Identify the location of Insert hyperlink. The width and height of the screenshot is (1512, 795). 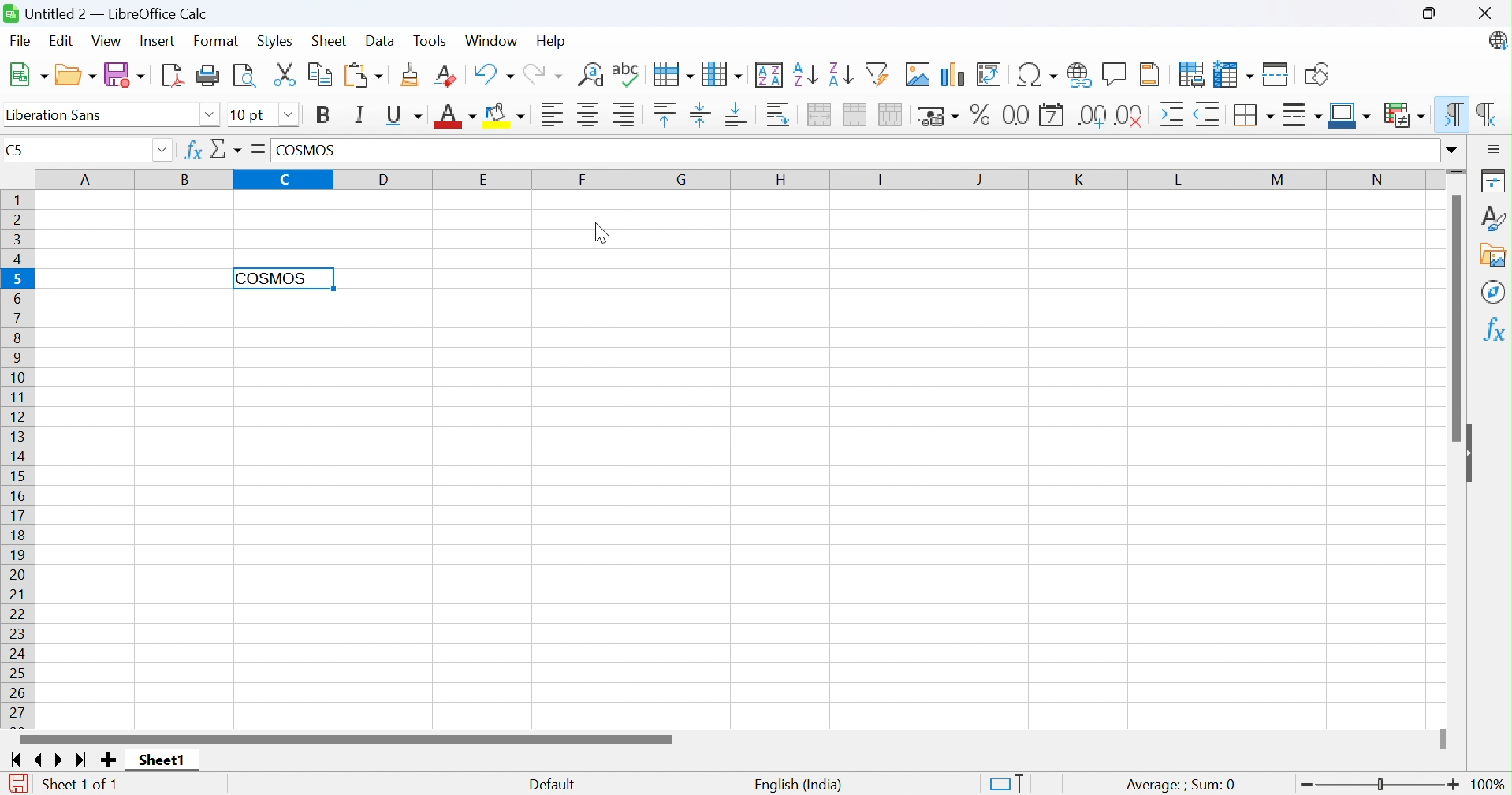
(1078, 75).